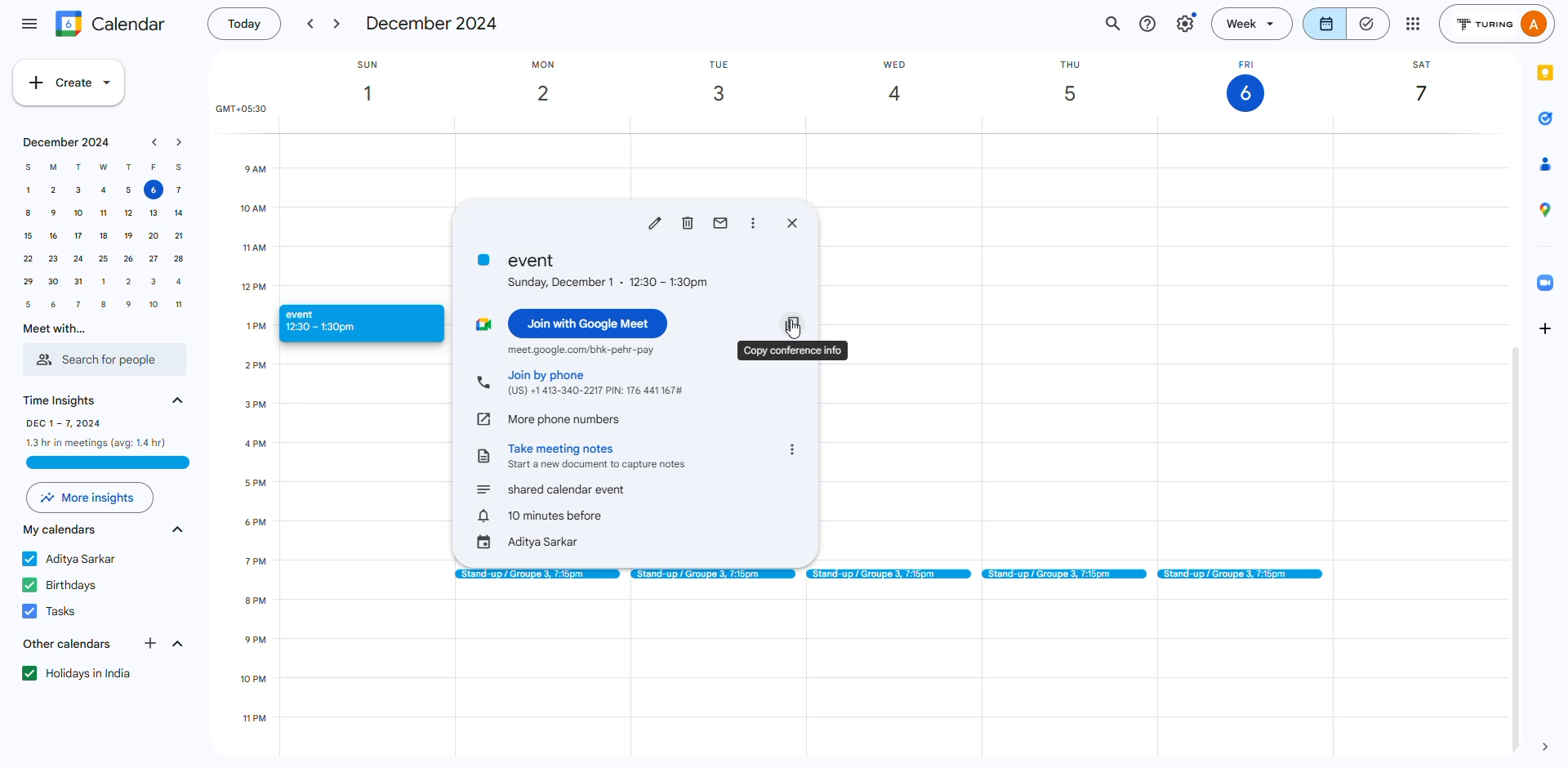  I want to click on mon 2, so click(557, 85).